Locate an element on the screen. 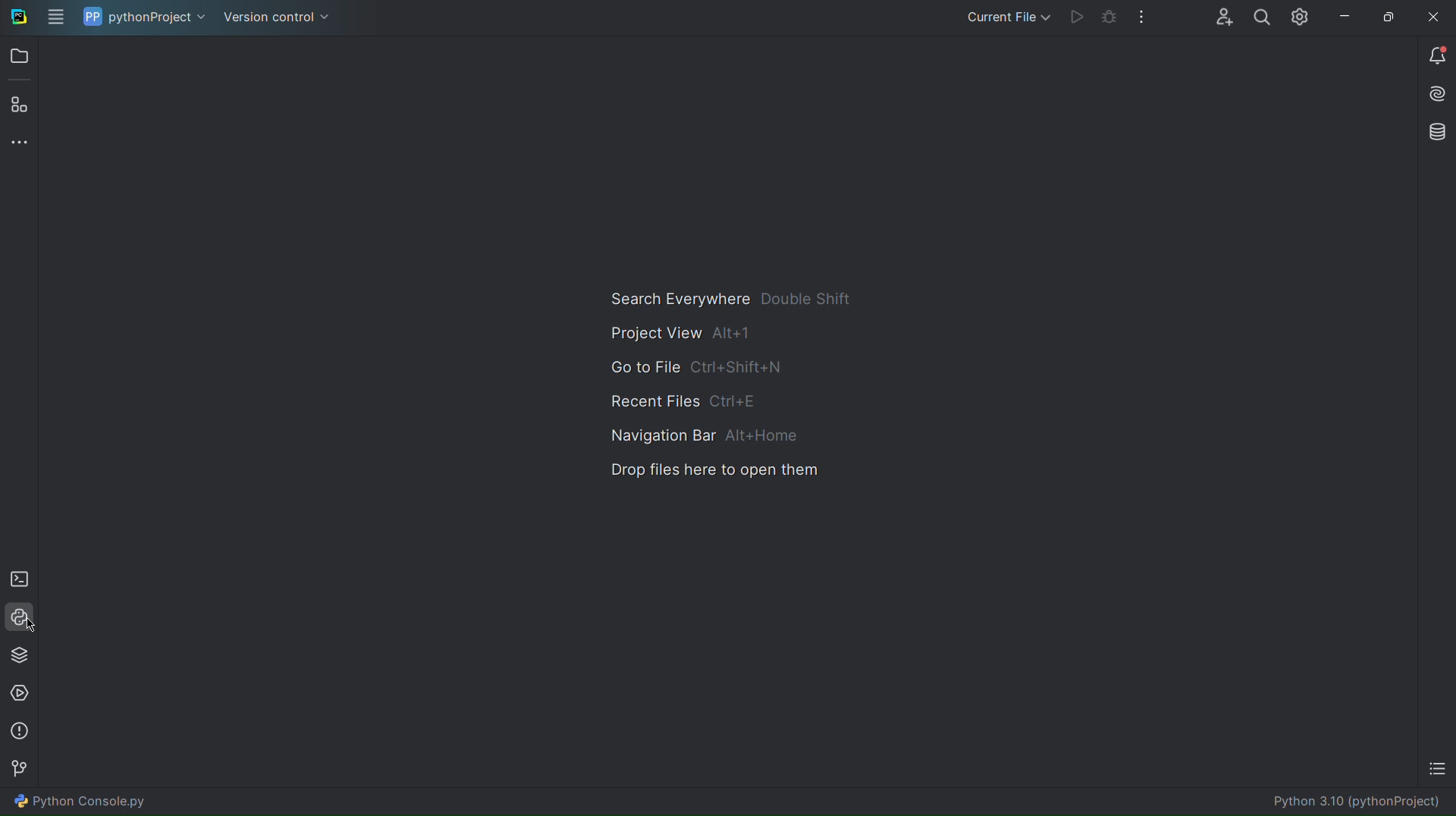 This screenshot has width=1456, height=816. Version Control is located at coordinates (21, 770).